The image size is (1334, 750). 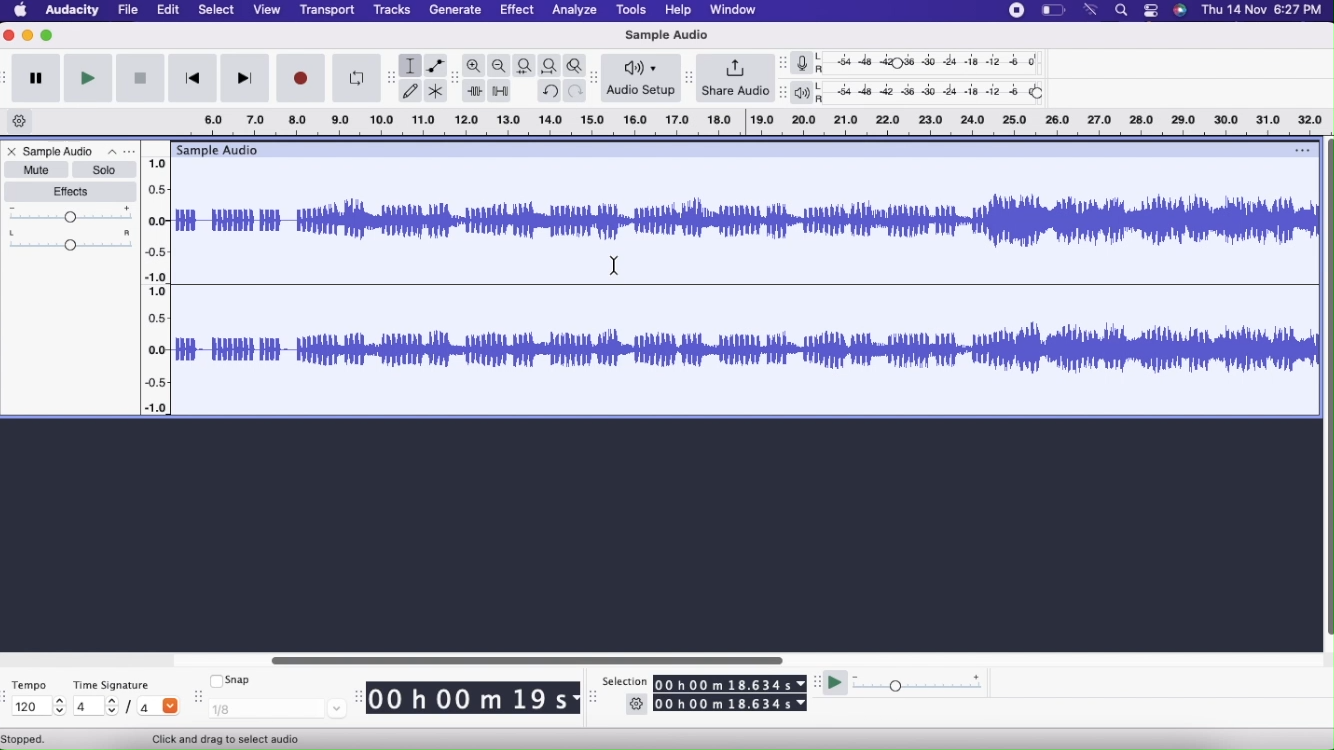 What do you see at coordinates (129, 707) in the screenshot?
I see `/` at bounding box center [129, 707].